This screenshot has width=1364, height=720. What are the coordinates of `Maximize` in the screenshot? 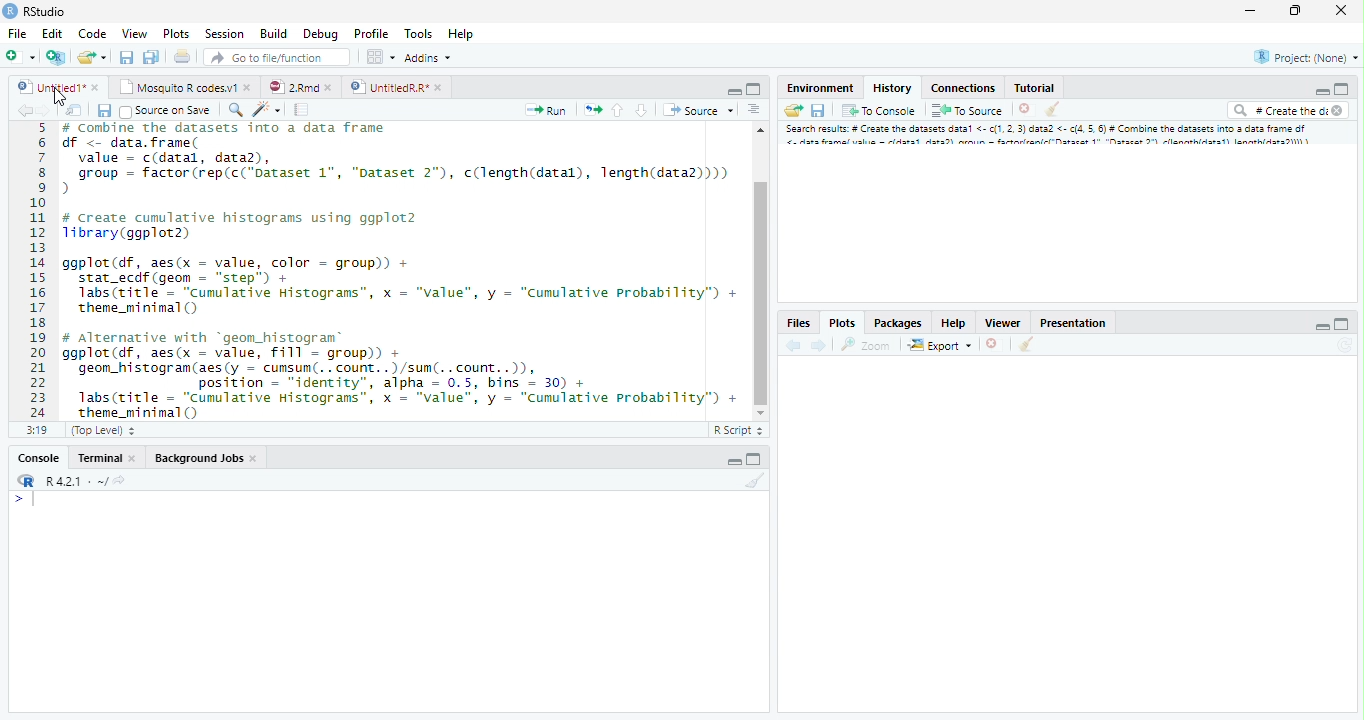 It's located at (1344, 323).